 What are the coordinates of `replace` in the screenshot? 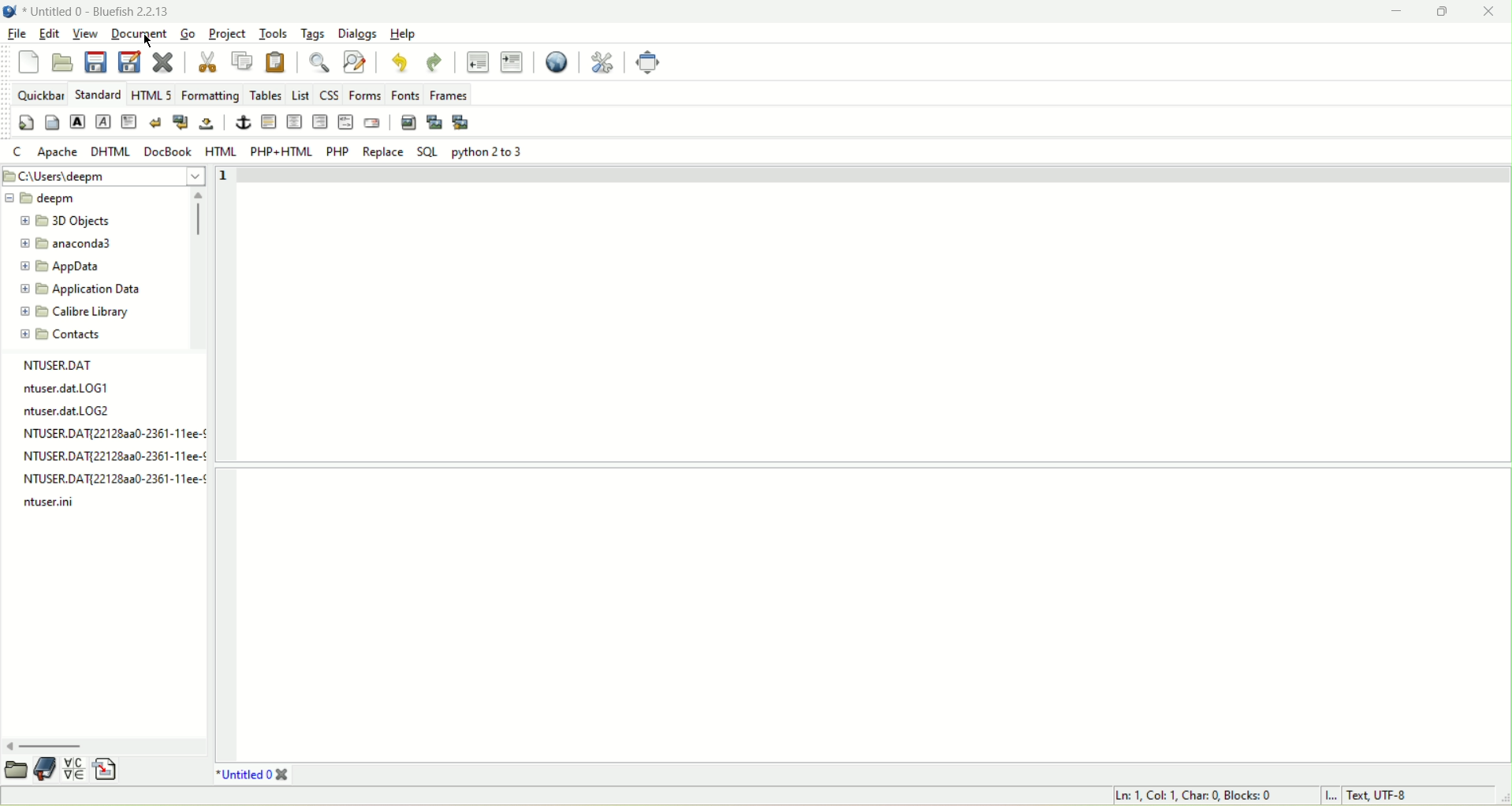 It's located at (383, 151).